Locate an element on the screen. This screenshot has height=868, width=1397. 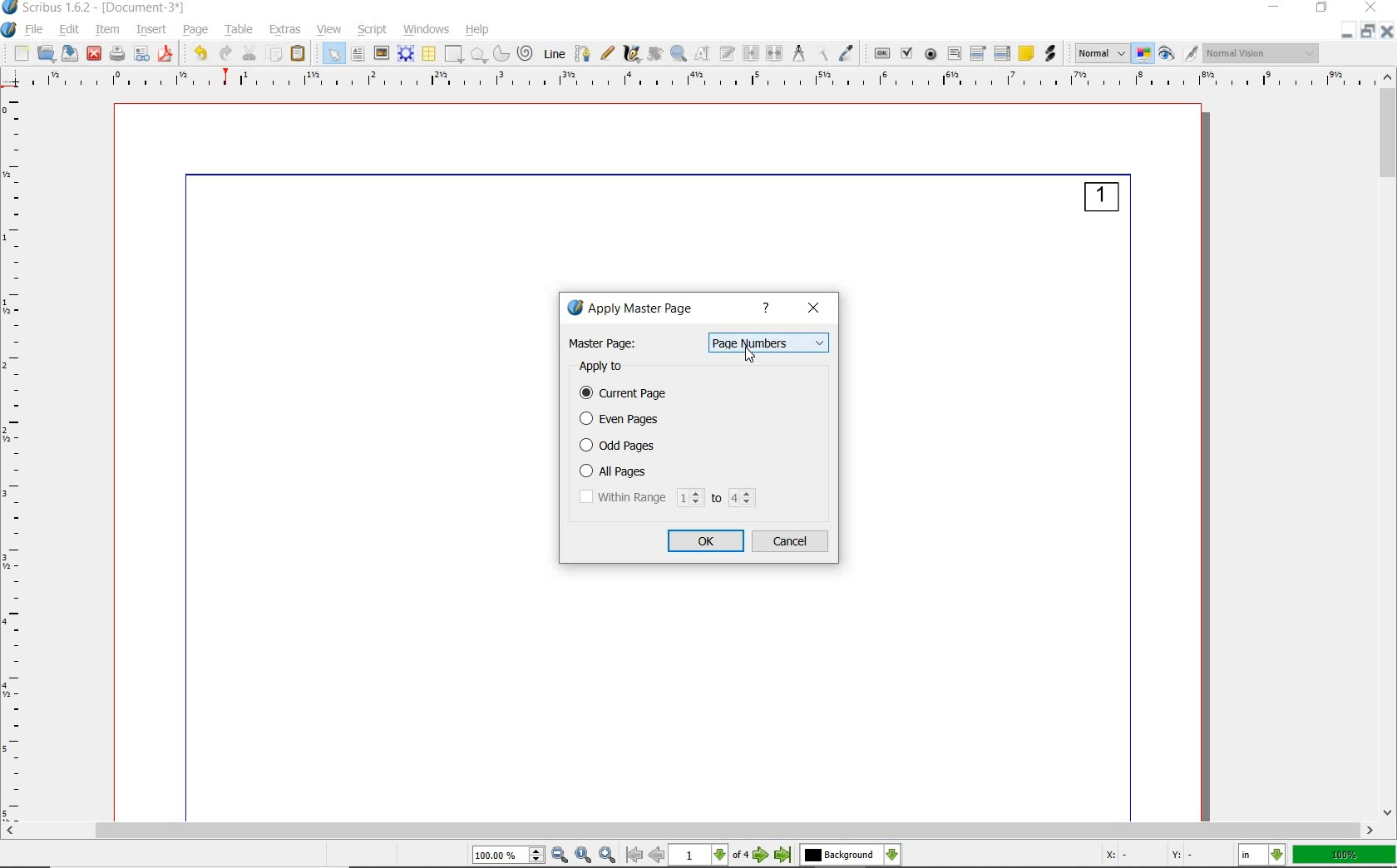
within range is located at coordinates (668, 498).